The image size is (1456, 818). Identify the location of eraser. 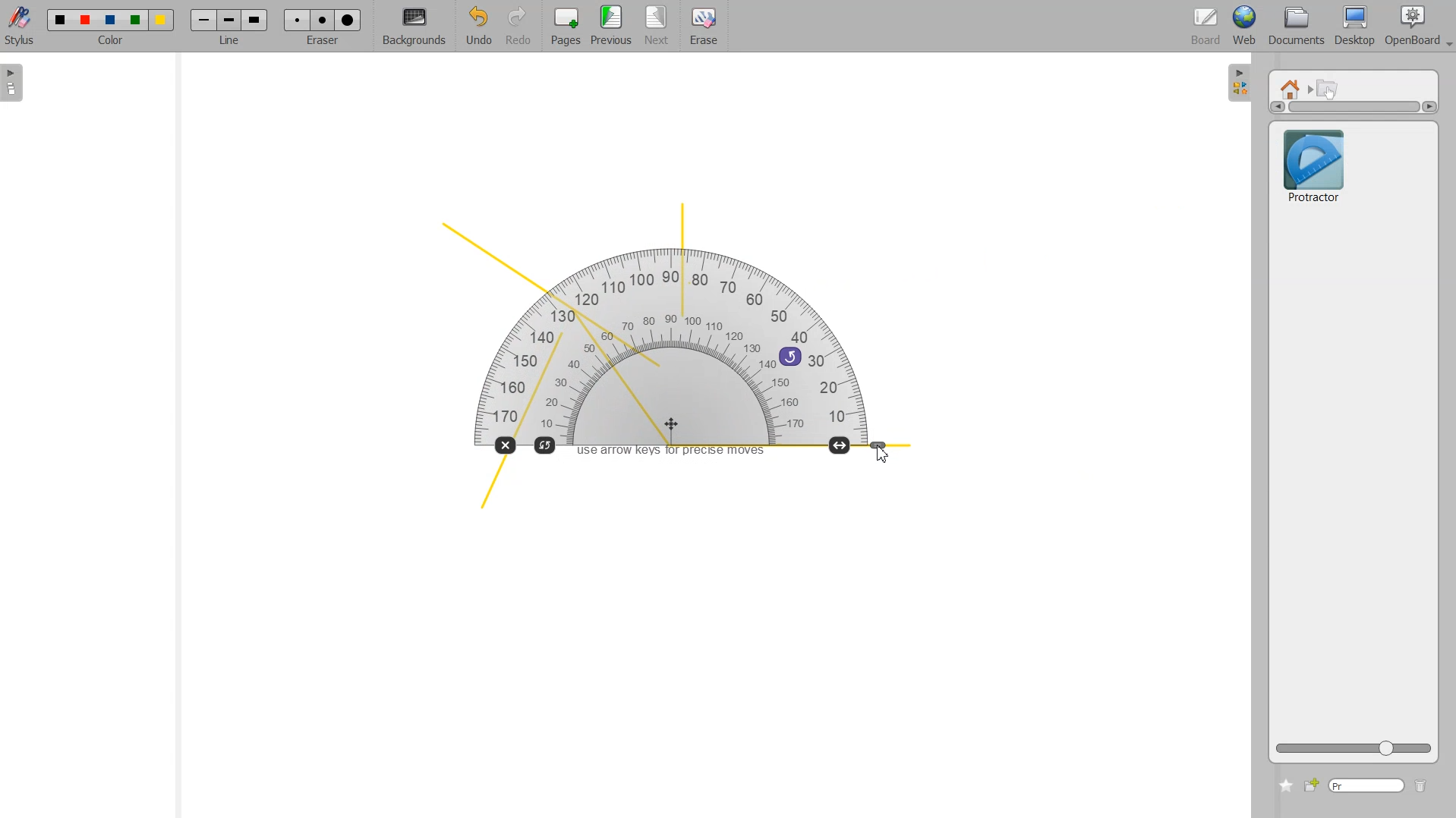
(320, 45).